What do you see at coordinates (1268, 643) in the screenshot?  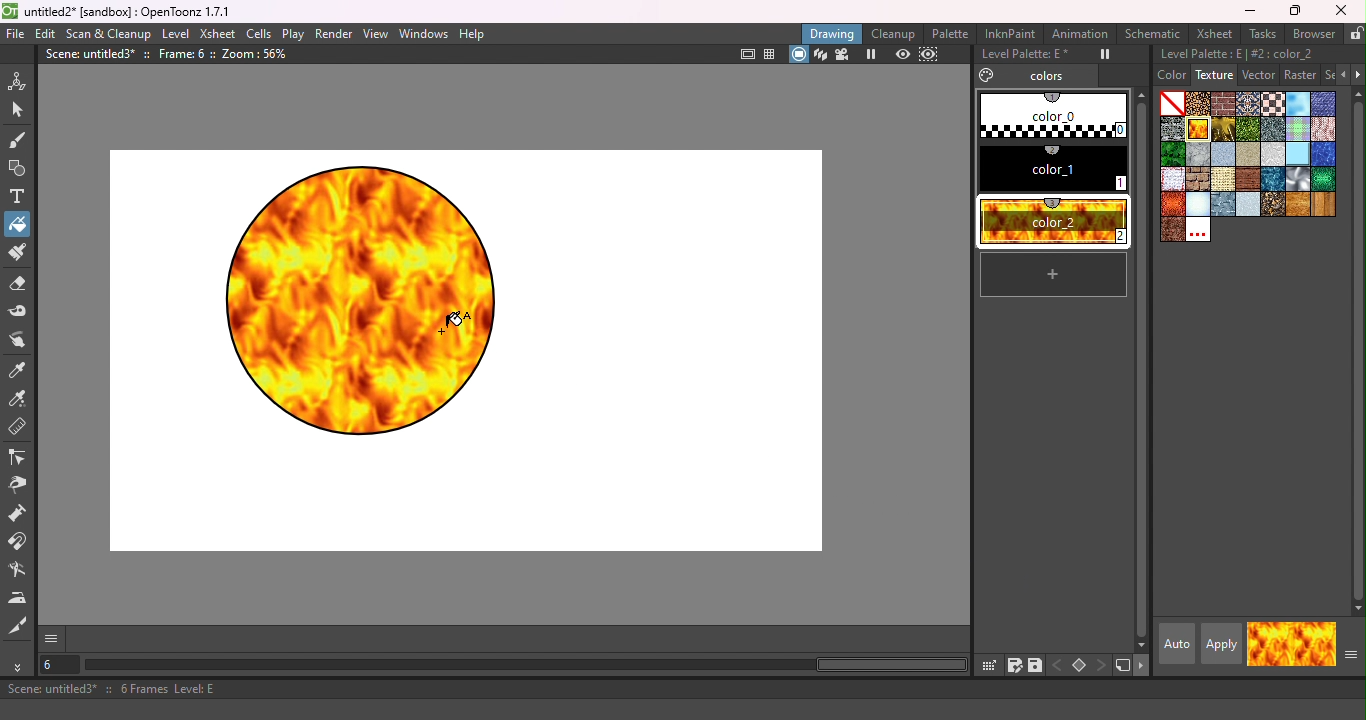 I see `current style` at bounding box center [1268, 643].